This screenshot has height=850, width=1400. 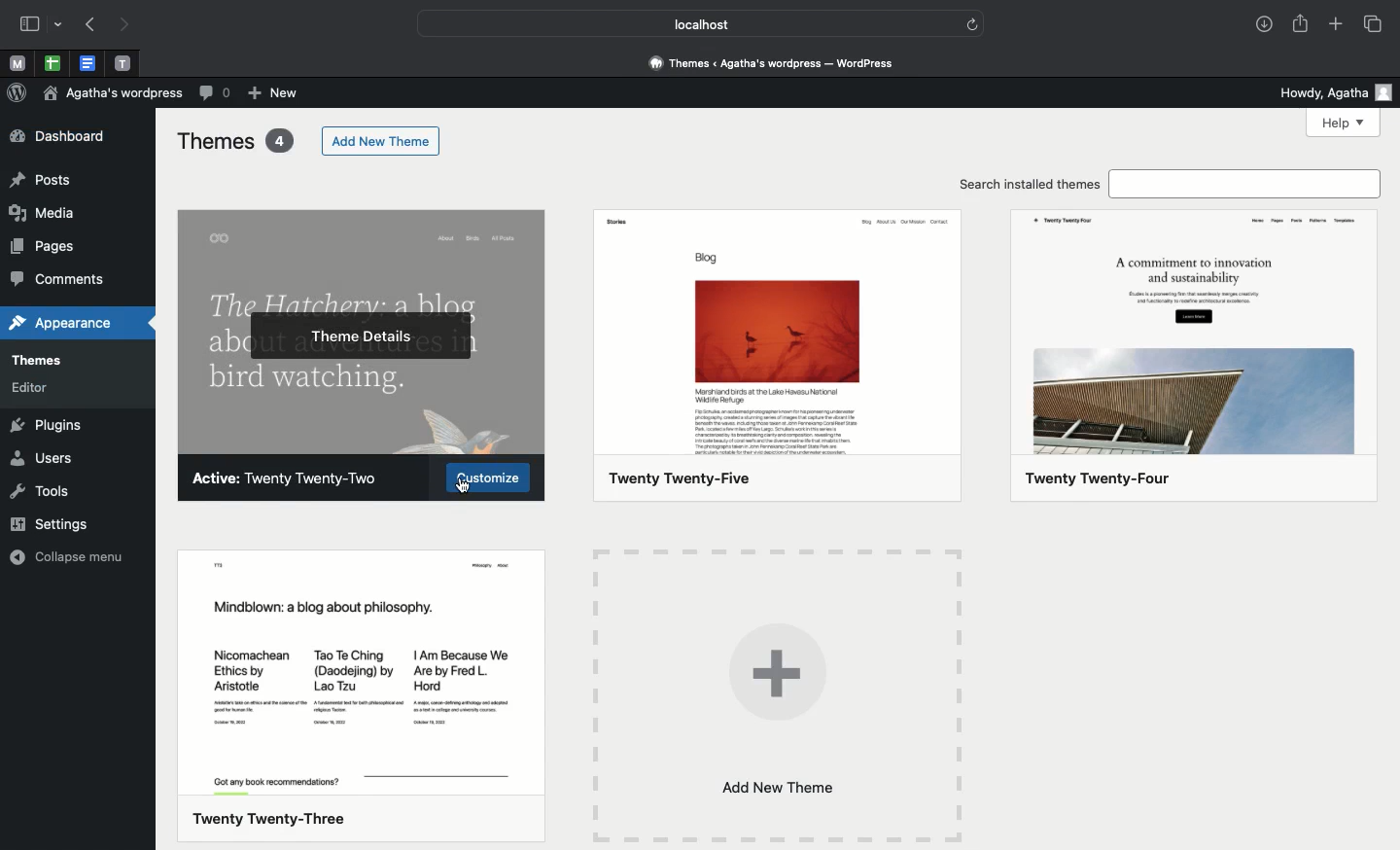 I want to click on Plugins, so click(x=47, y=426).